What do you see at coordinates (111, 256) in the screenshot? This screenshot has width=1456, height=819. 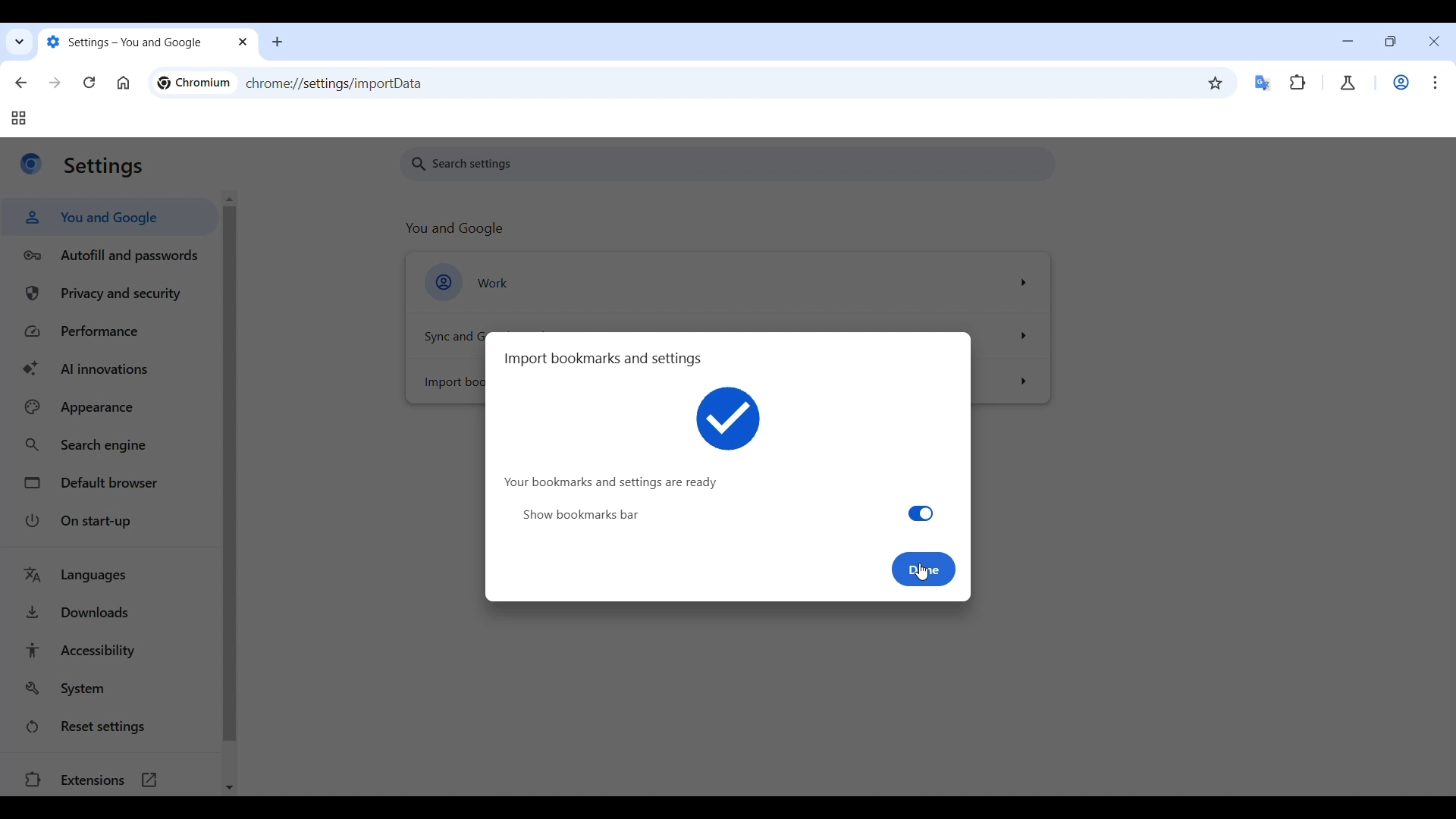 I see `Autofill and passwords` at bounding box center [111, 256].